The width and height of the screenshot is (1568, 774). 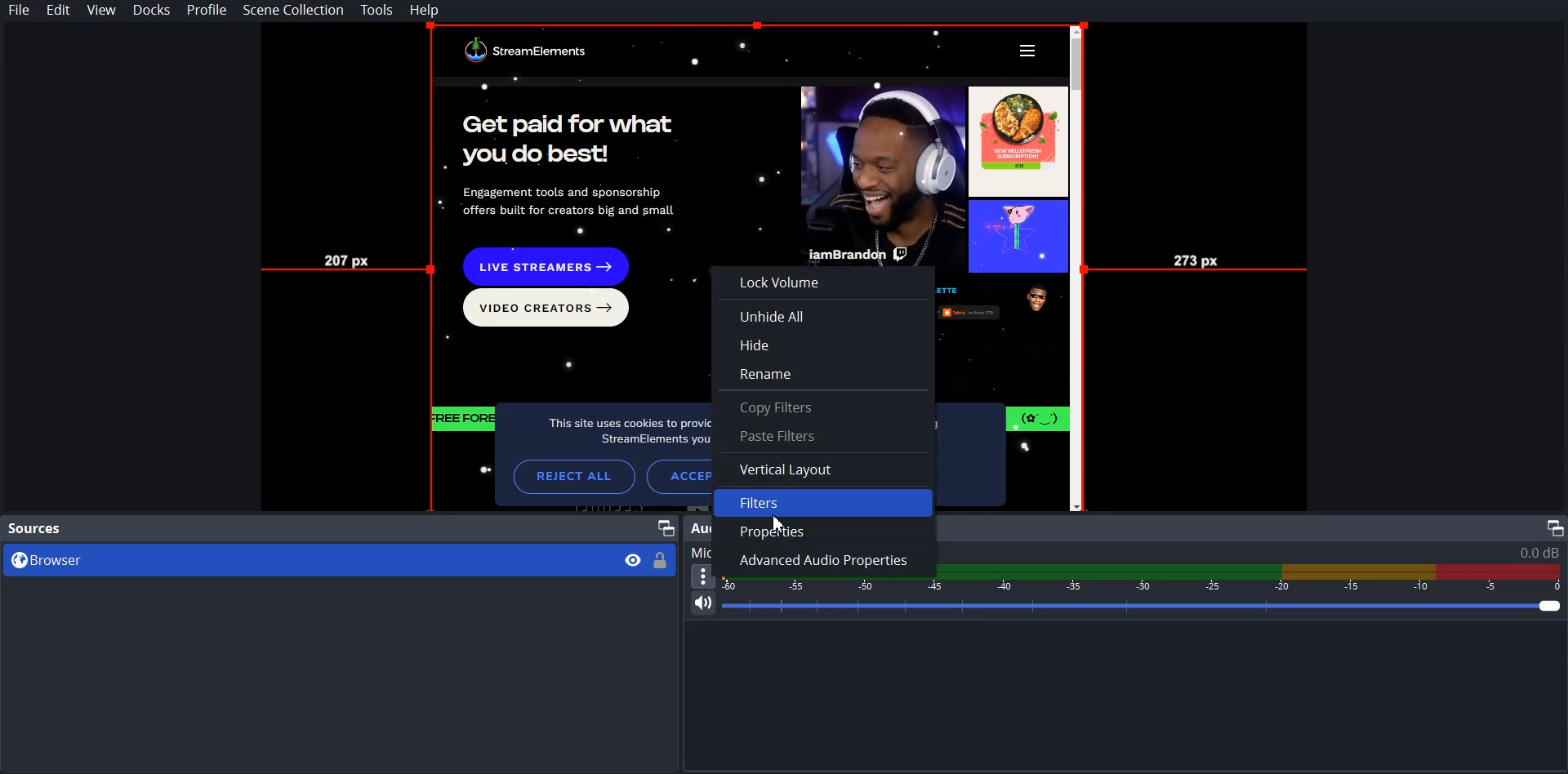 I want to click on Scene Collection, so click(x=293, y=11).